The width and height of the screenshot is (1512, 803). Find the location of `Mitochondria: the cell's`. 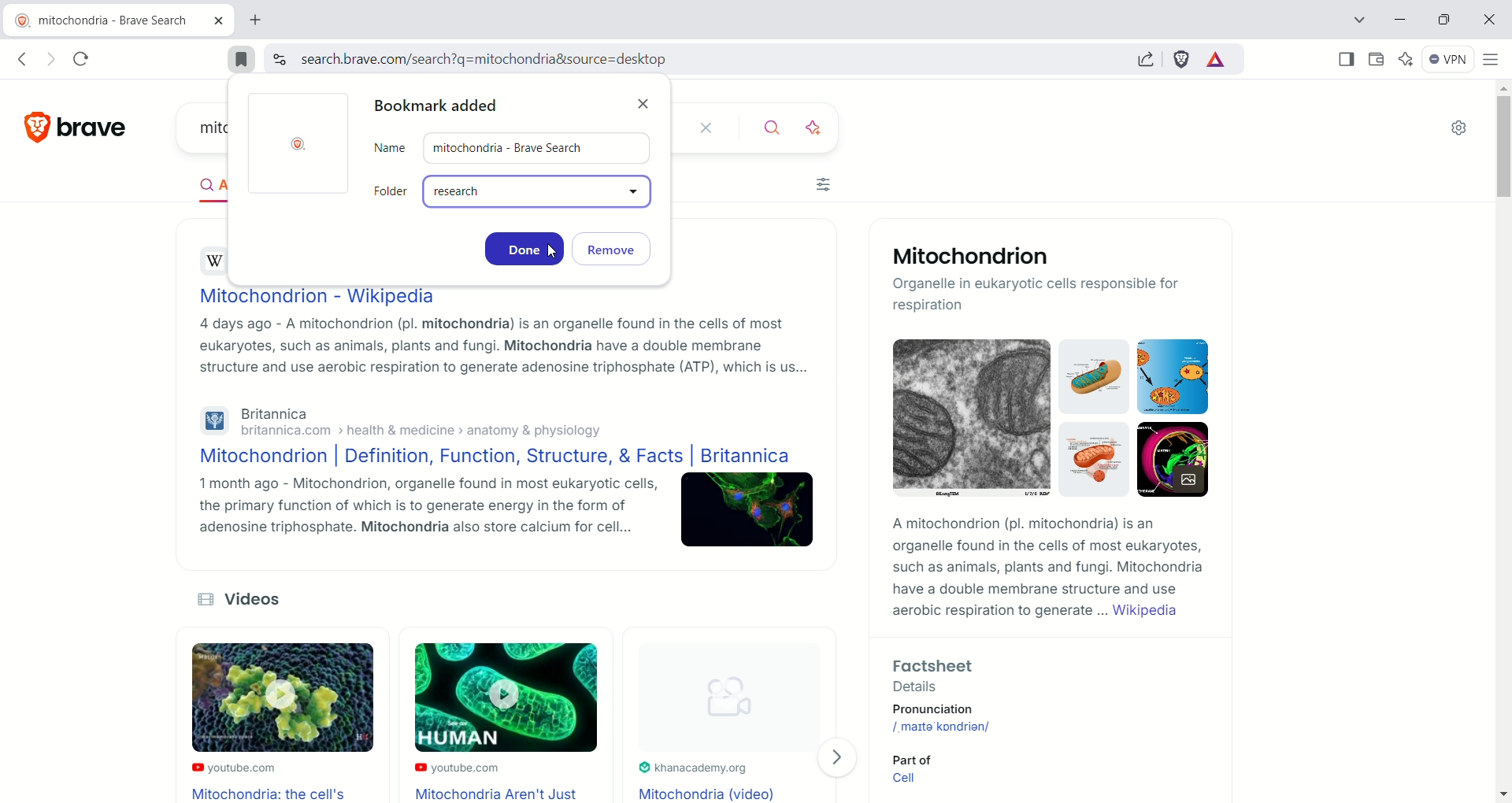

Mitochondria: the cell's is located at coordinates (272, 794).